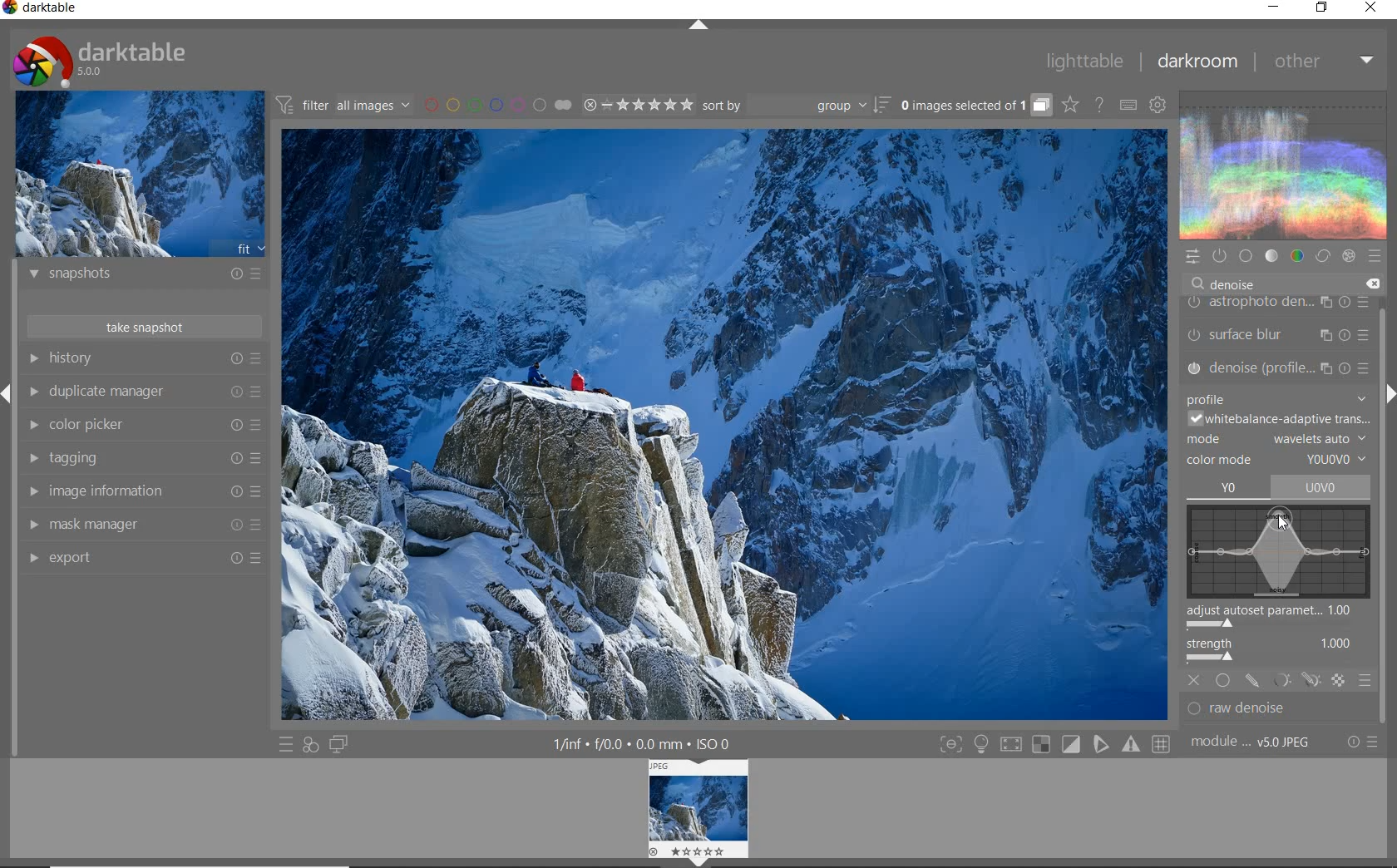 The image size is (1397, 868). What do you see at coordinates (1229, 489) in the screenshot?
I see `YO` at bounding box center [1229, 489].